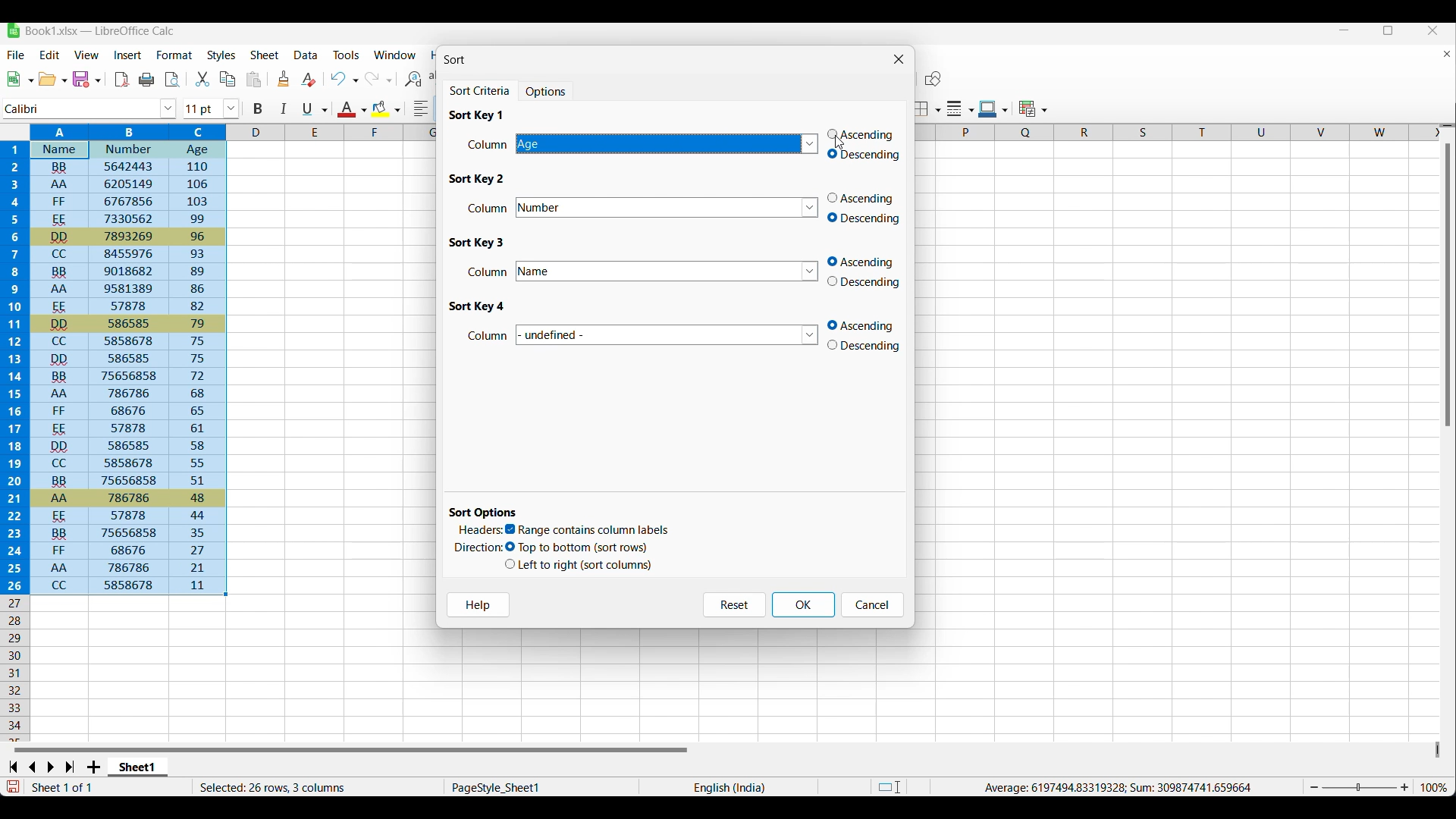 The width and height of the screenshot is (1456, 819). I want to click on Window menu, so click(395, 55).